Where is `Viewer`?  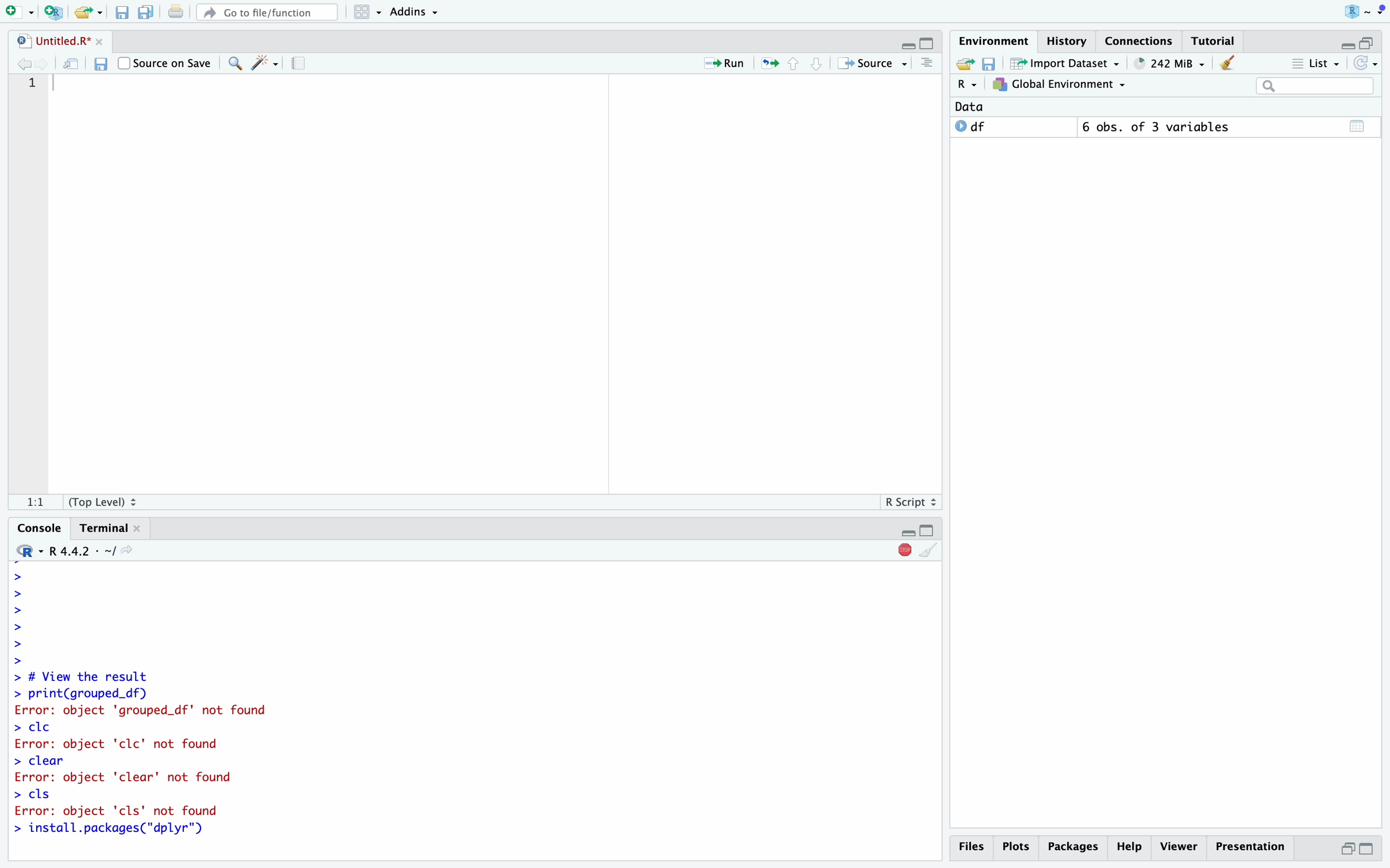
Viewer is located at coordinates (1180, 847).